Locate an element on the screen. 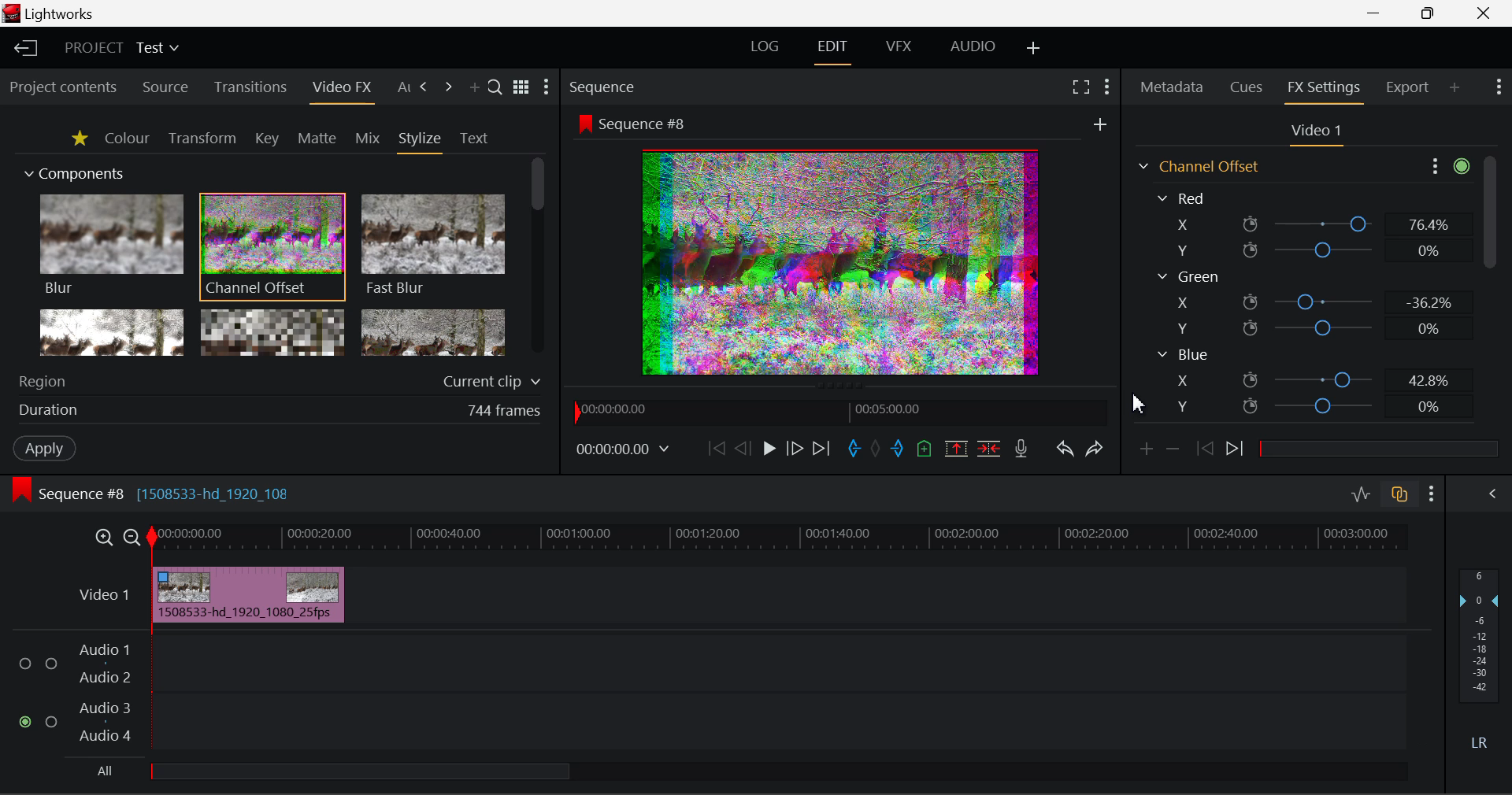 This screenshot has height=795, width=1512. Project Timeline Track is located at coordinates (780, 540).